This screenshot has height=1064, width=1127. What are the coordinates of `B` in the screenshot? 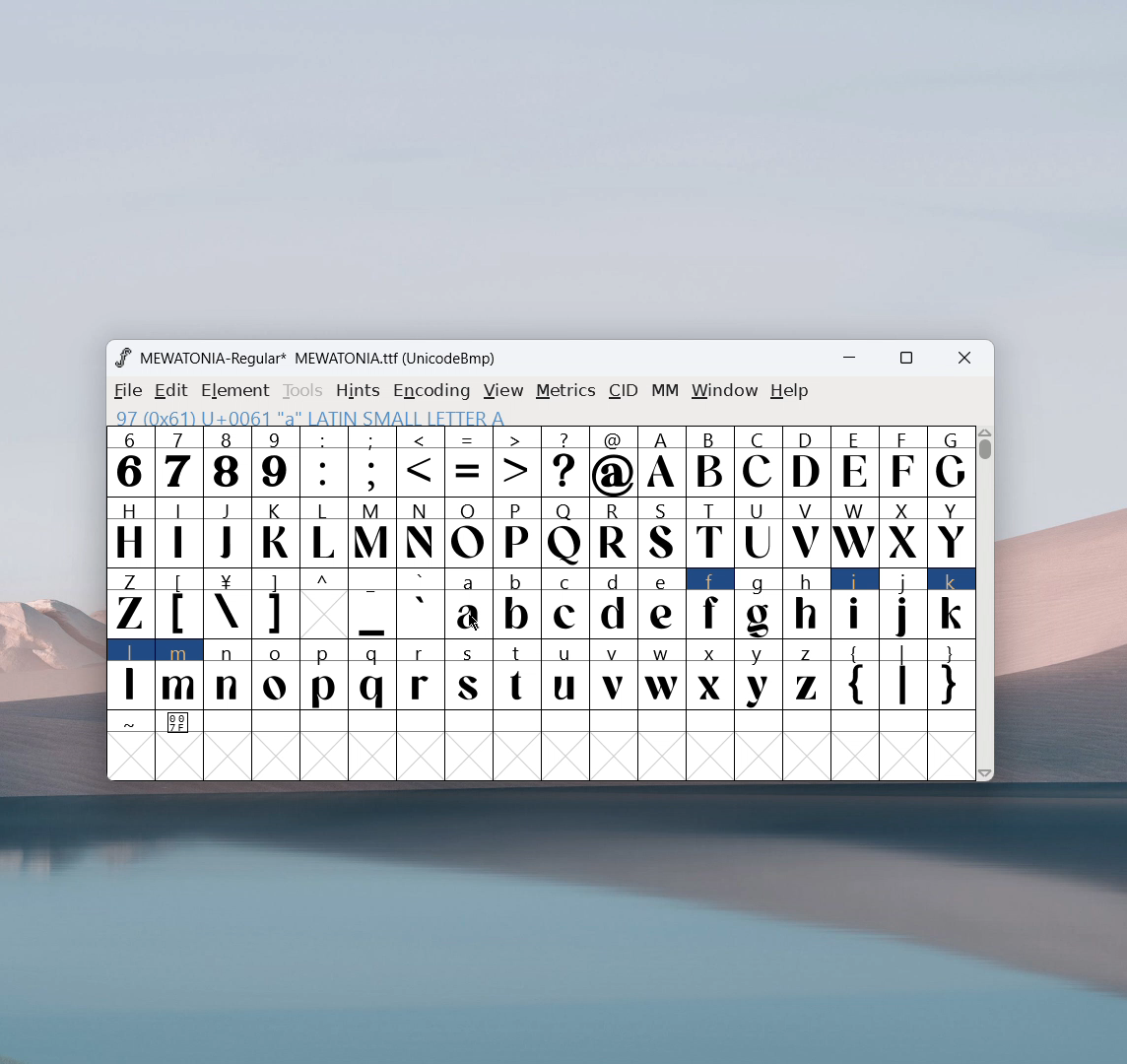 It's located at (709, 462).